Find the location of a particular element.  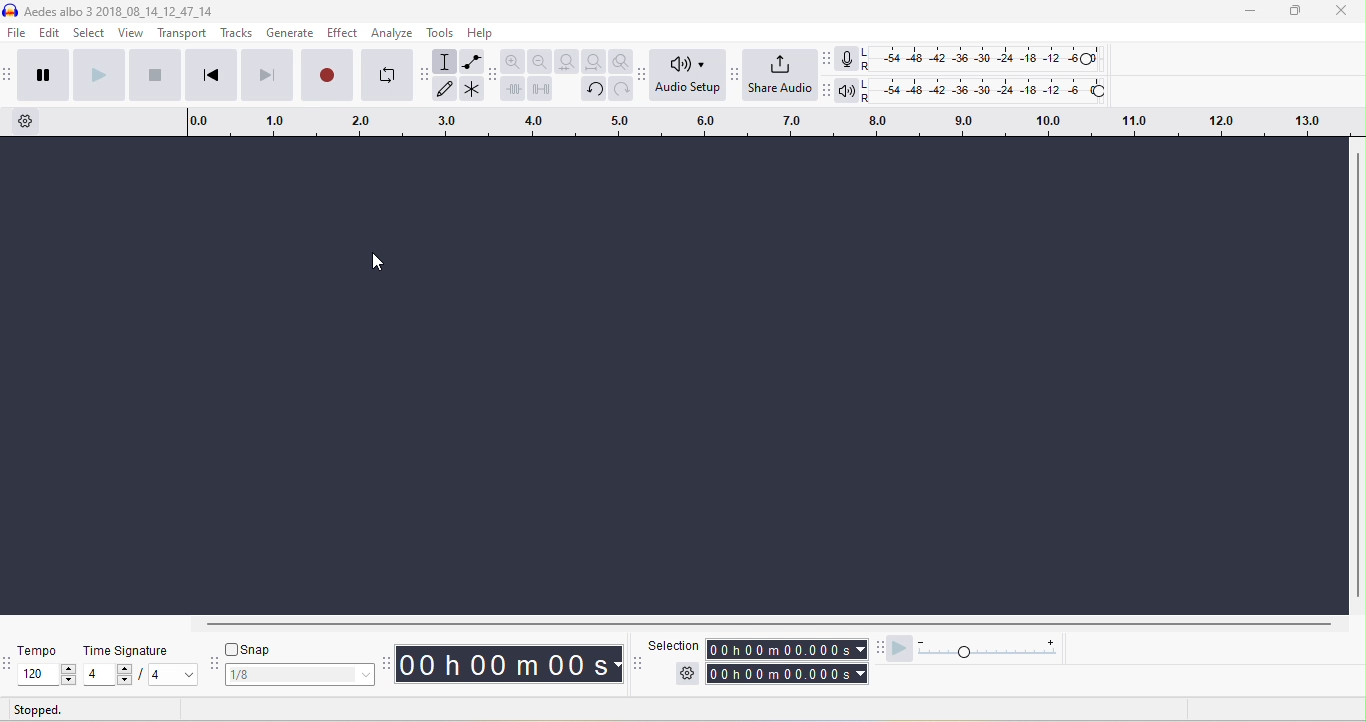

minimize is located at coordinates (1247, 12).